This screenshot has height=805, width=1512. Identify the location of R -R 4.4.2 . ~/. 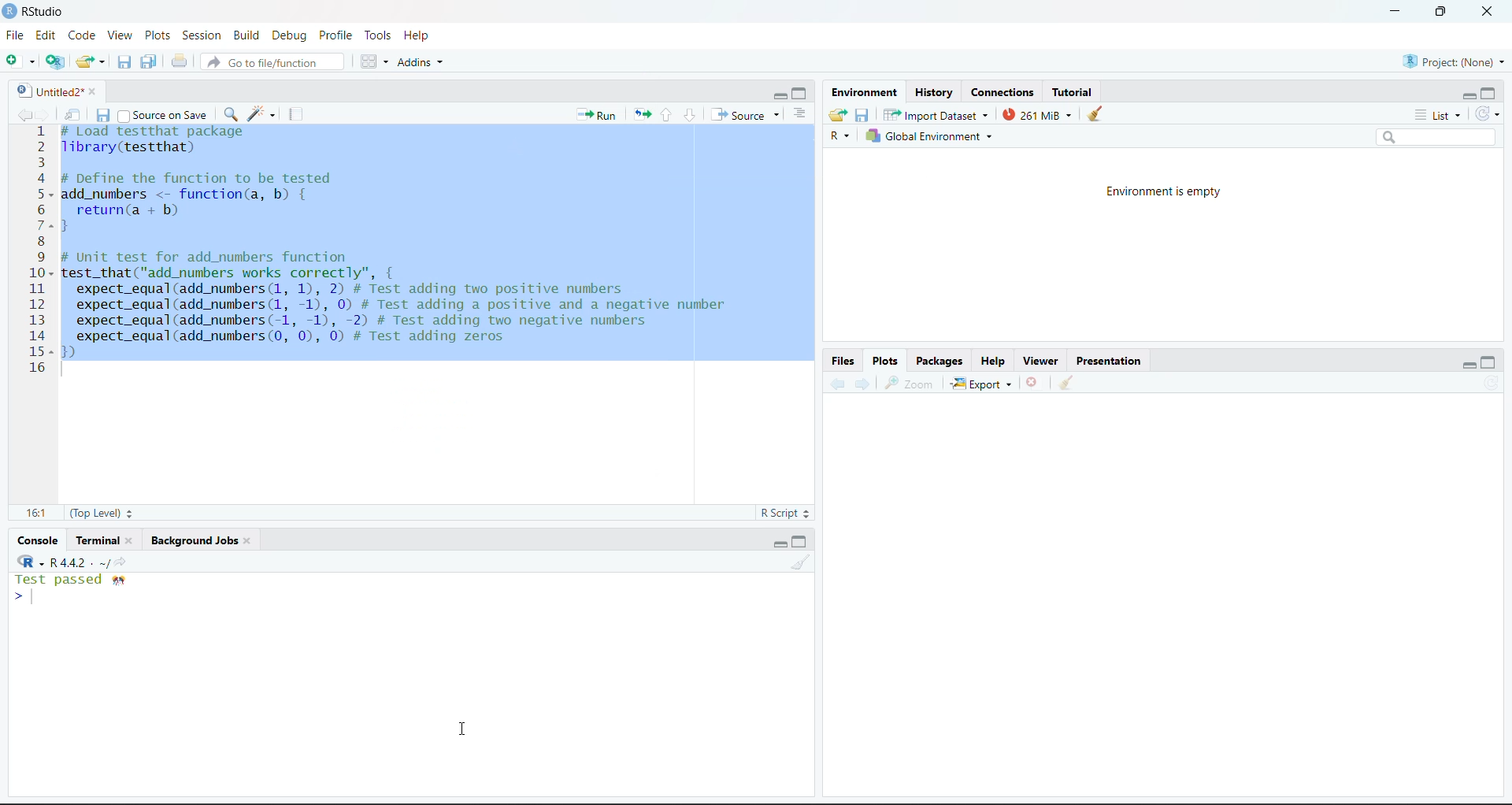
(76, 562).